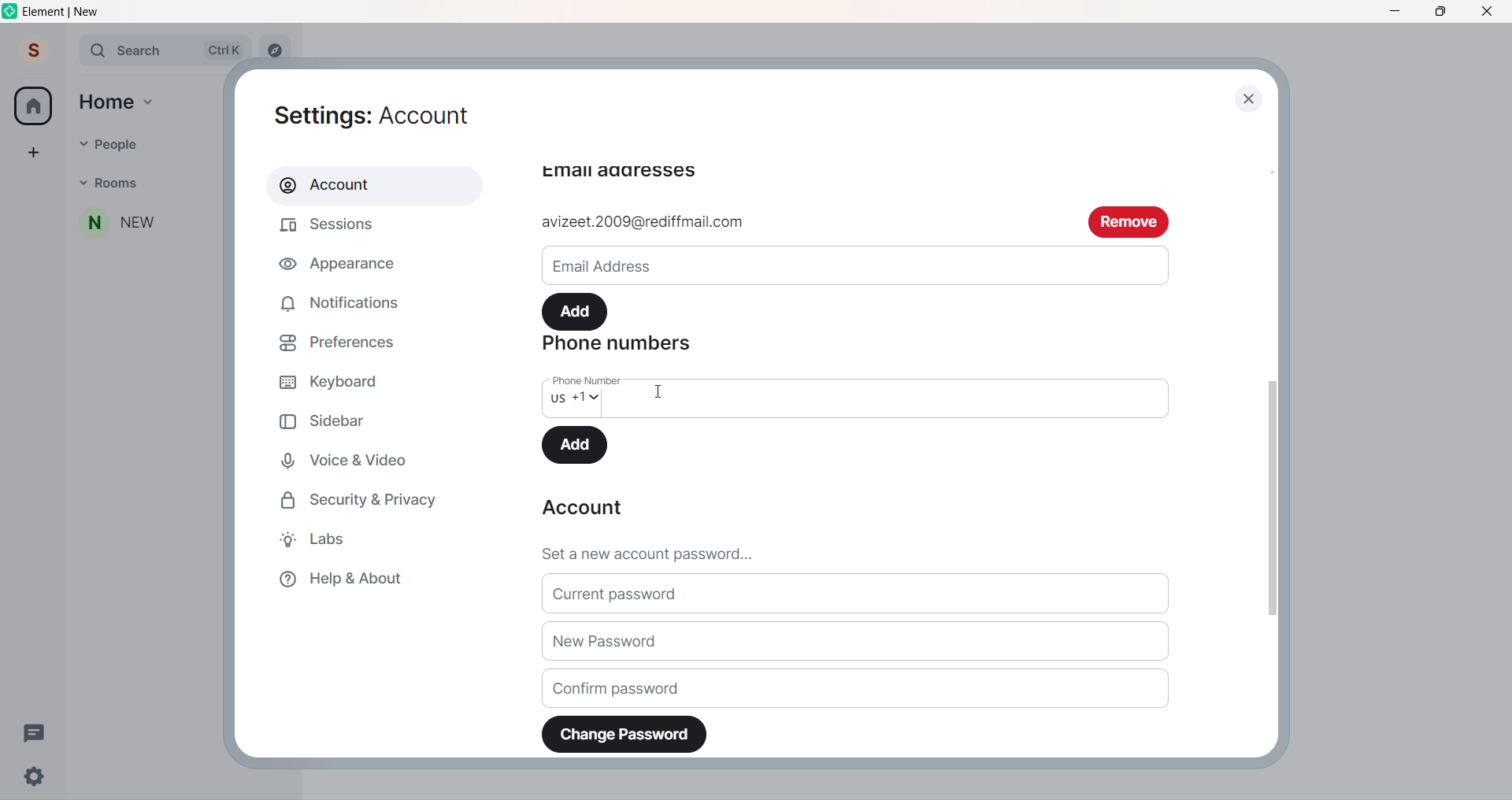  What do you see at coordinates (348, 457) in the screenshot?
I see `Voice and Video` at bounding box center [348, 457].